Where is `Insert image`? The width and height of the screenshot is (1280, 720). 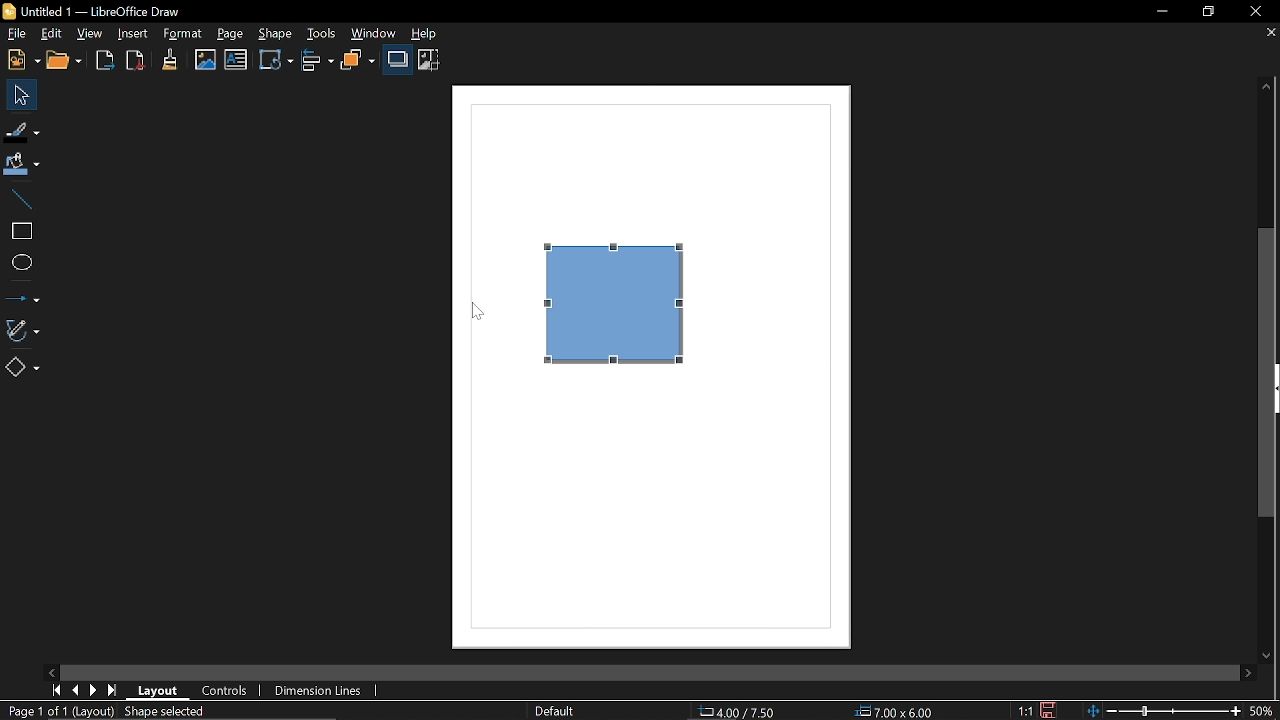
Insert image is located at coordinates (203, 60).